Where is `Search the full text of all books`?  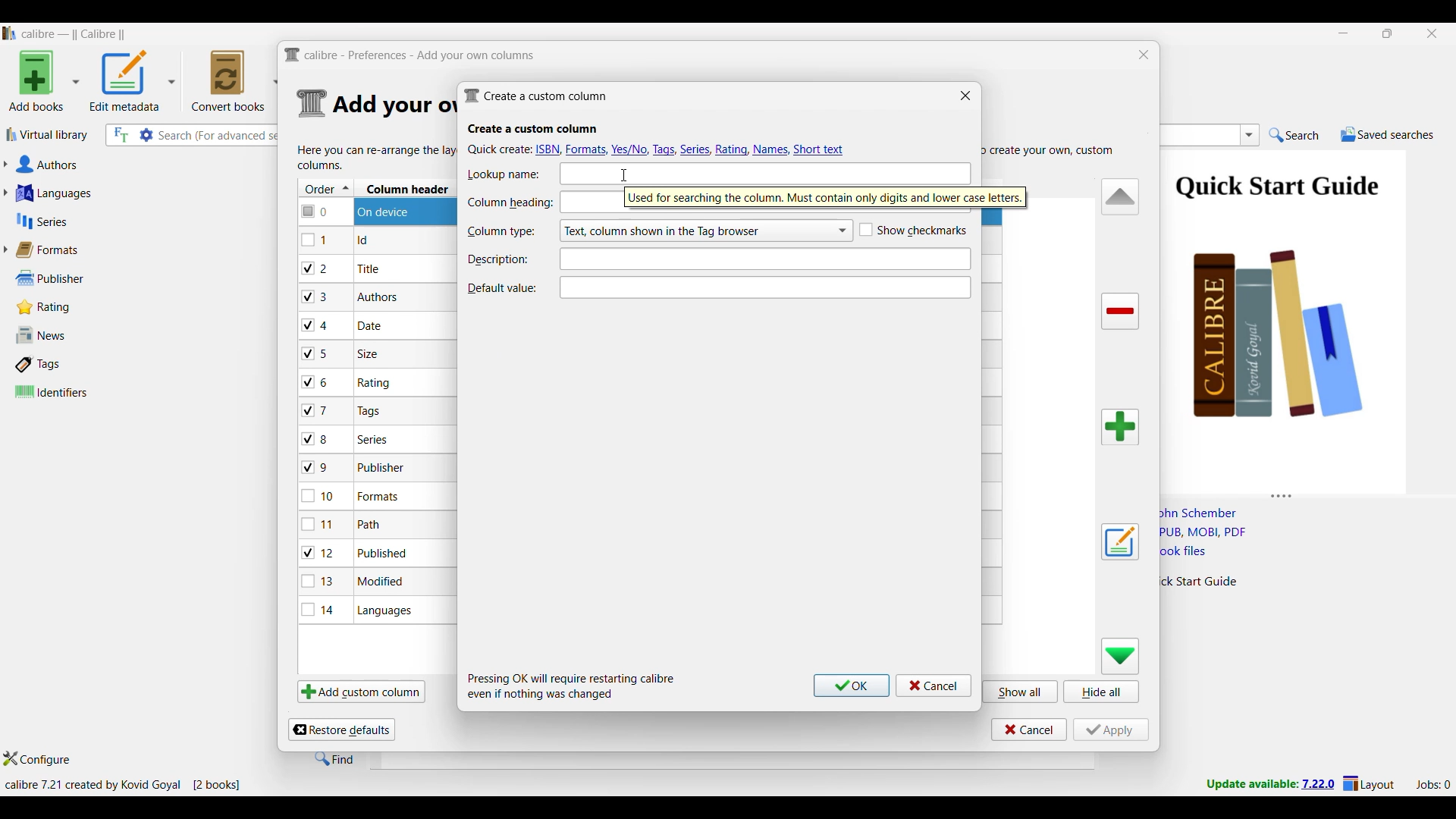
Search the full text of all books is located at coordinates (120, 135).